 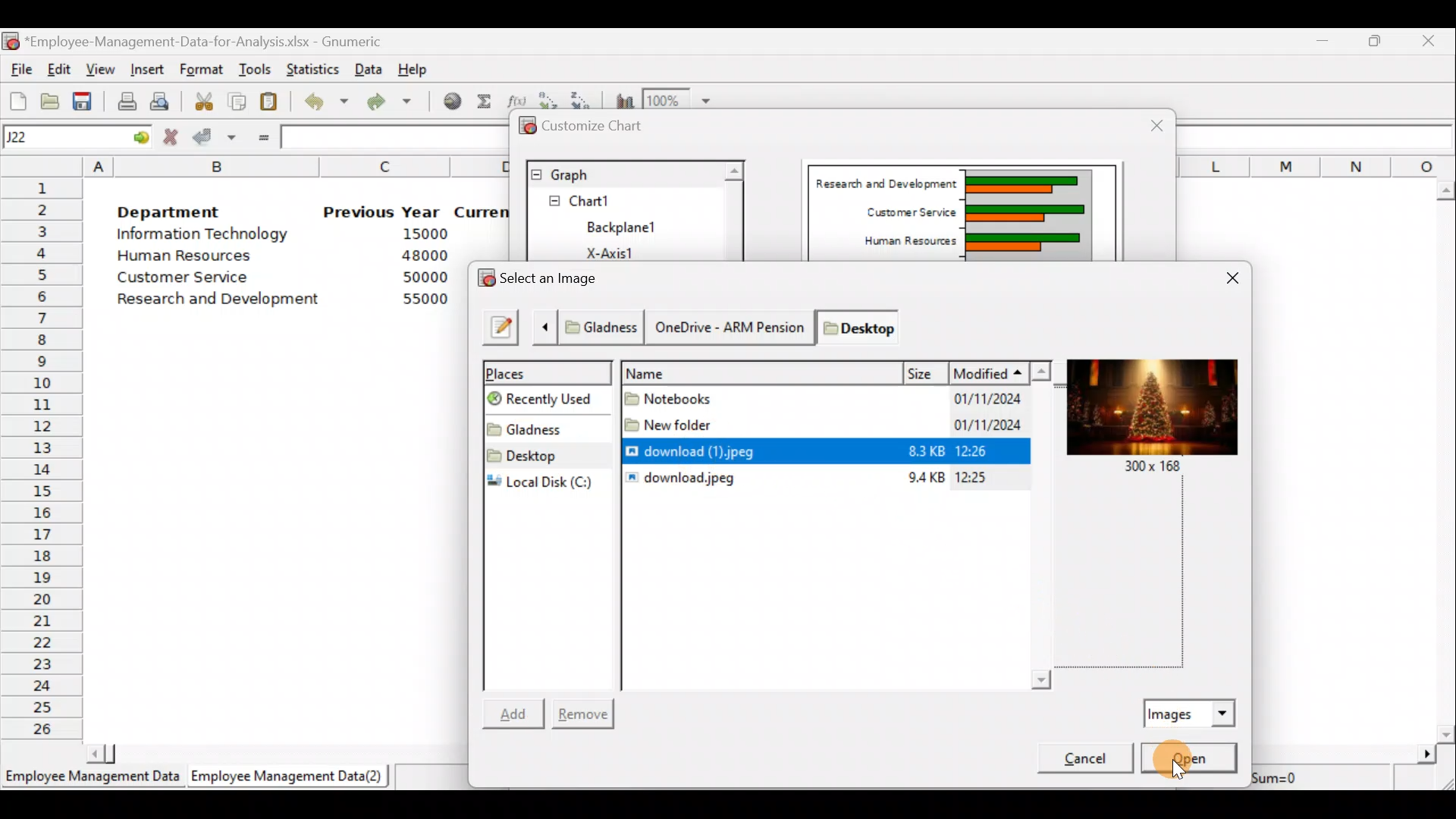 What do you see at coordinates (172, 137) in the screenshot?
I see `Cancel change` at bounding box center [172, 137].